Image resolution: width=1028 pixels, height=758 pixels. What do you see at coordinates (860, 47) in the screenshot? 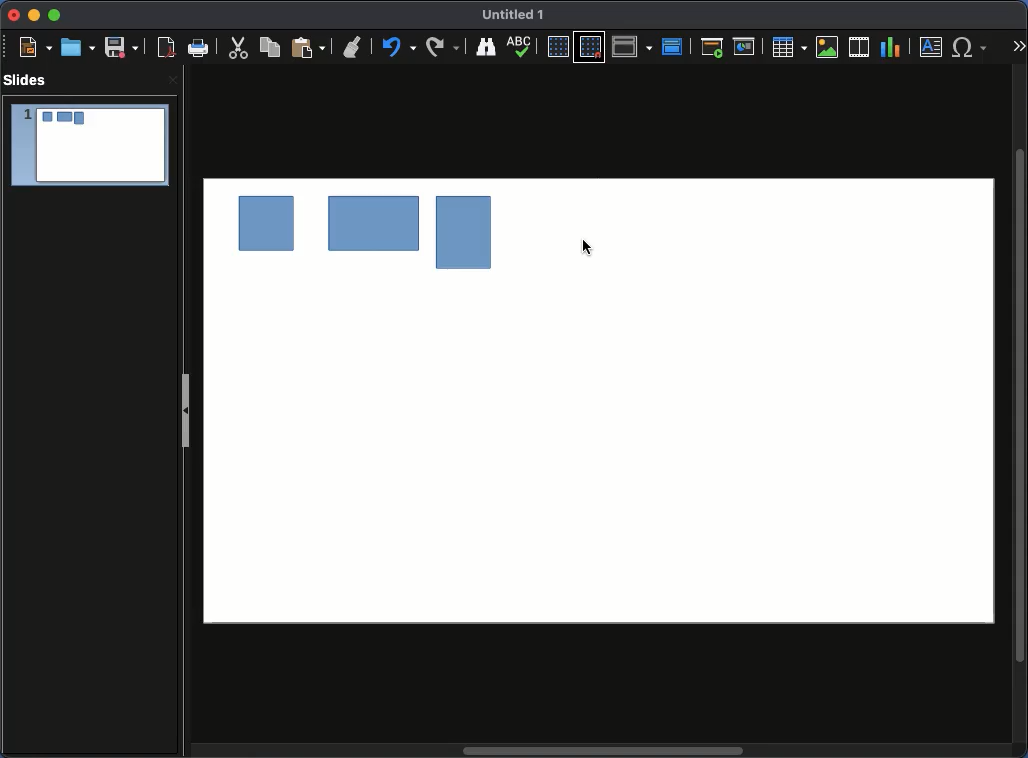
I see `Audio or video` at bounding box center [860, 47].